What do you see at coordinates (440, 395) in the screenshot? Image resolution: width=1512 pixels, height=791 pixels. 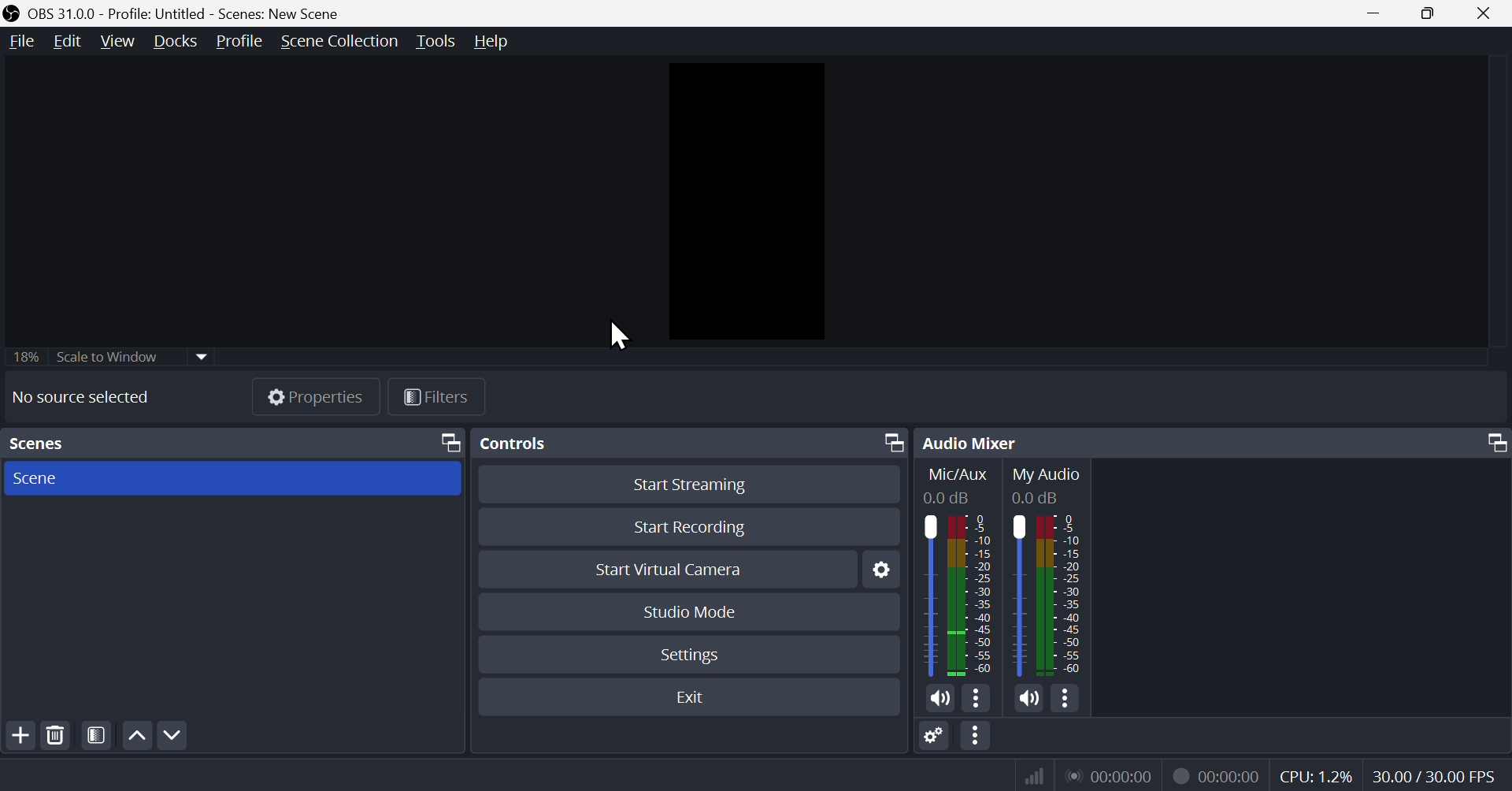 I see `Filter` at bounding box center [440, 395].